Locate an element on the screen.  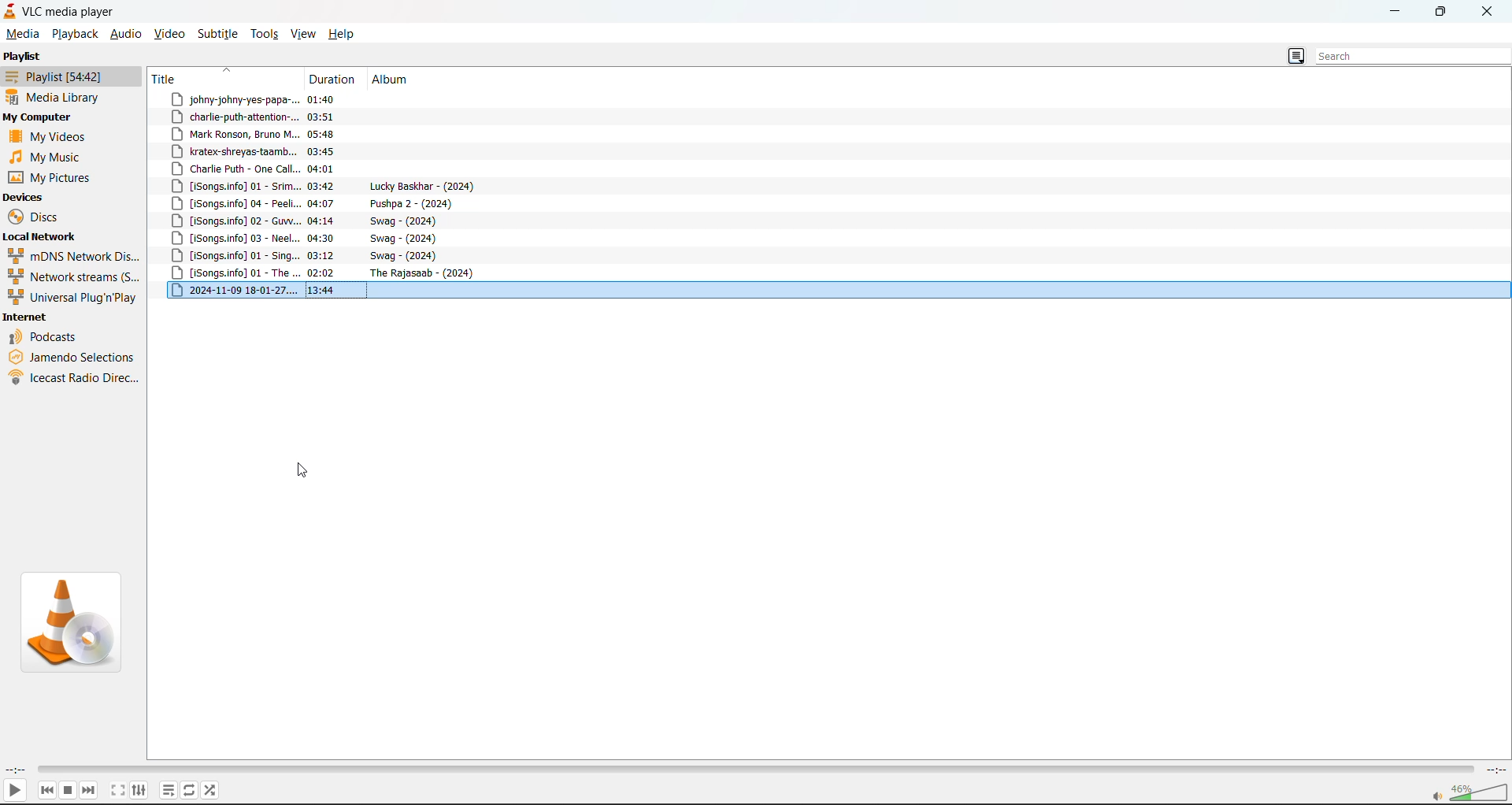
close is located at coordinates (1490, 11).